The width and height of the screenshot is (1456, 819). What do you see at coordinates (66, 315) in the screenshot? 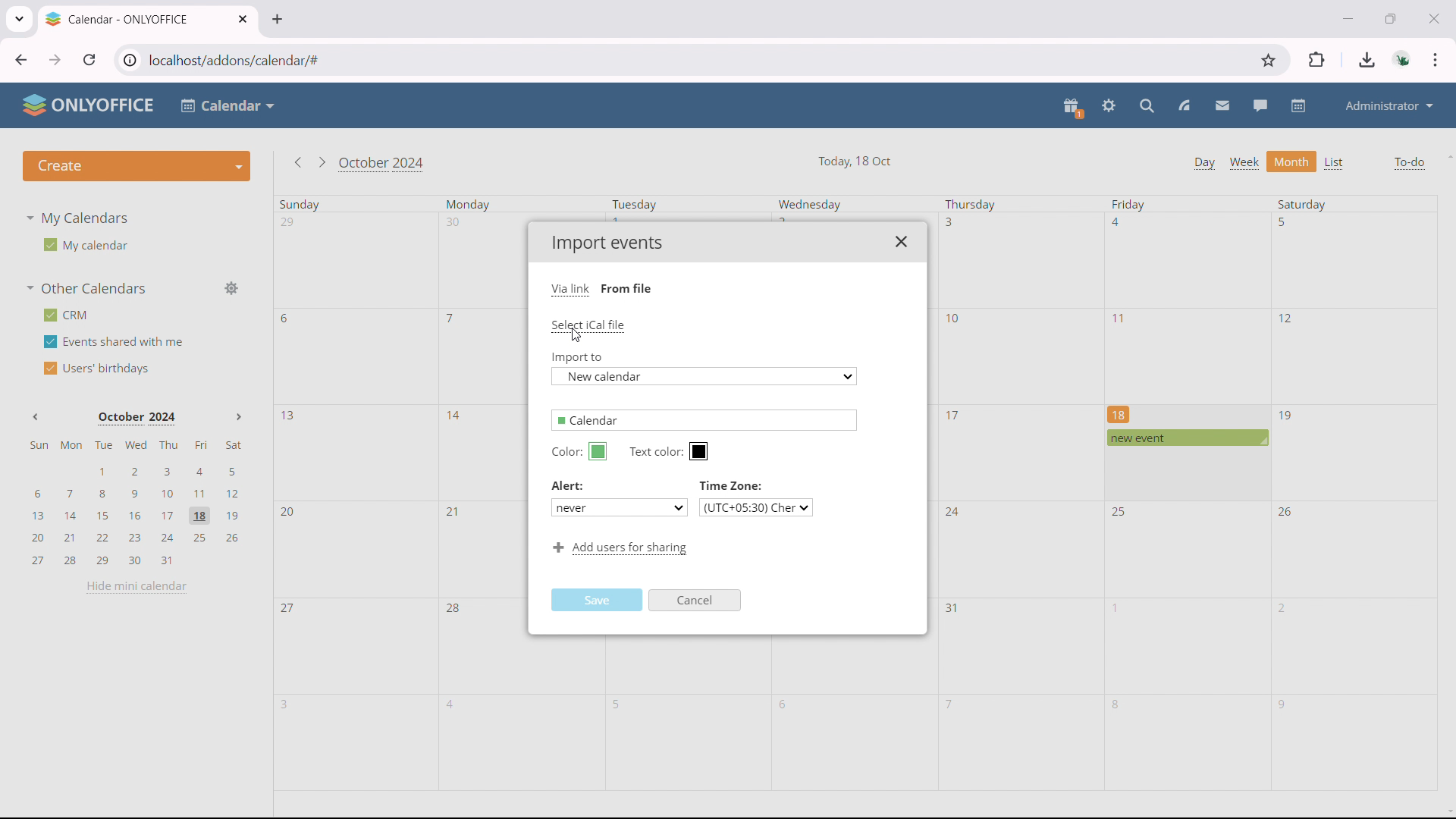
I see `crm` at bounding box center [66, 315].